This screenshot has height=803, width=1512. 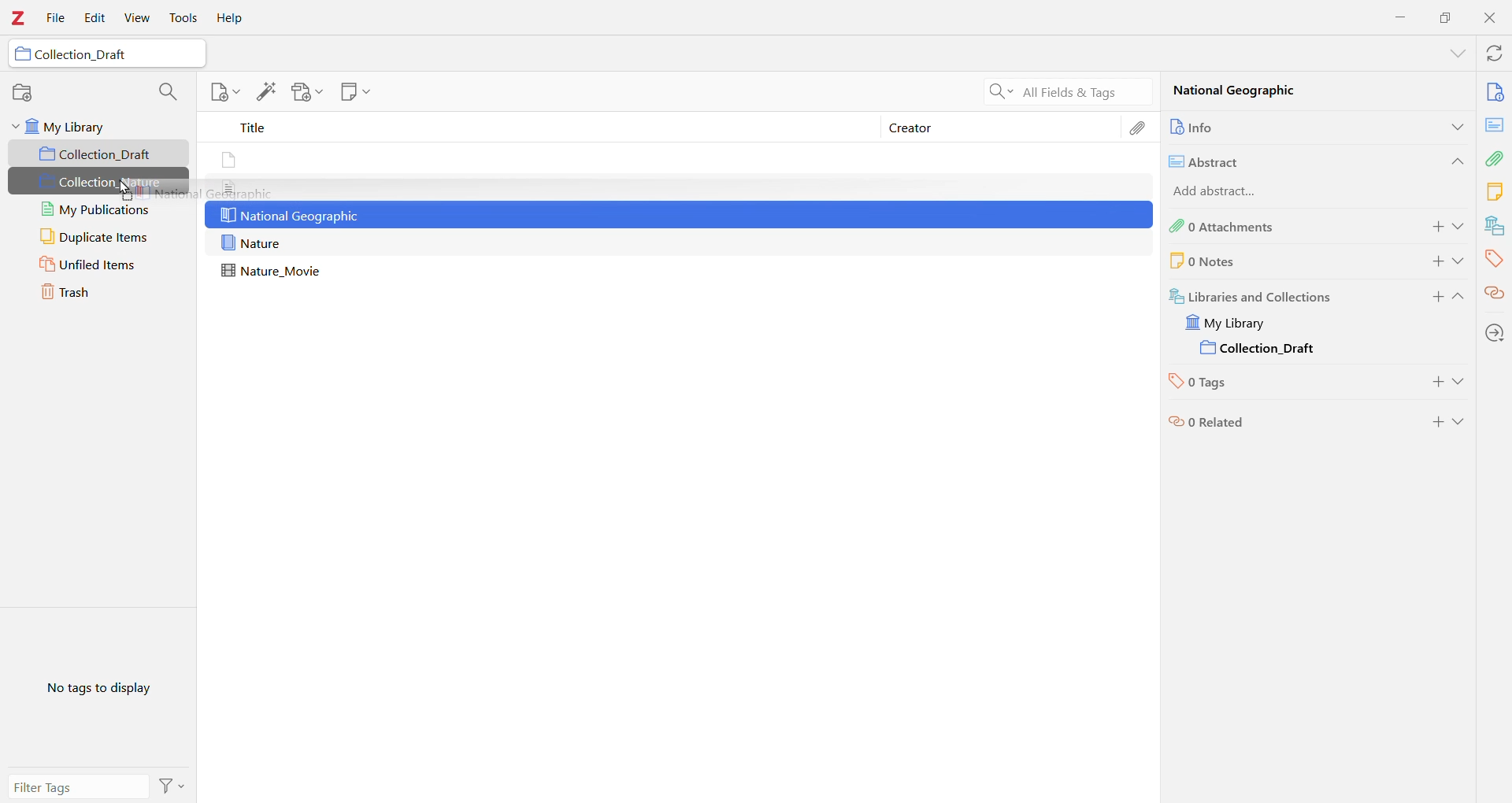 What do you see at coordinates (1236, 323) in the screenshot?
I see `Current Library` at bounding box center [1236, 323].